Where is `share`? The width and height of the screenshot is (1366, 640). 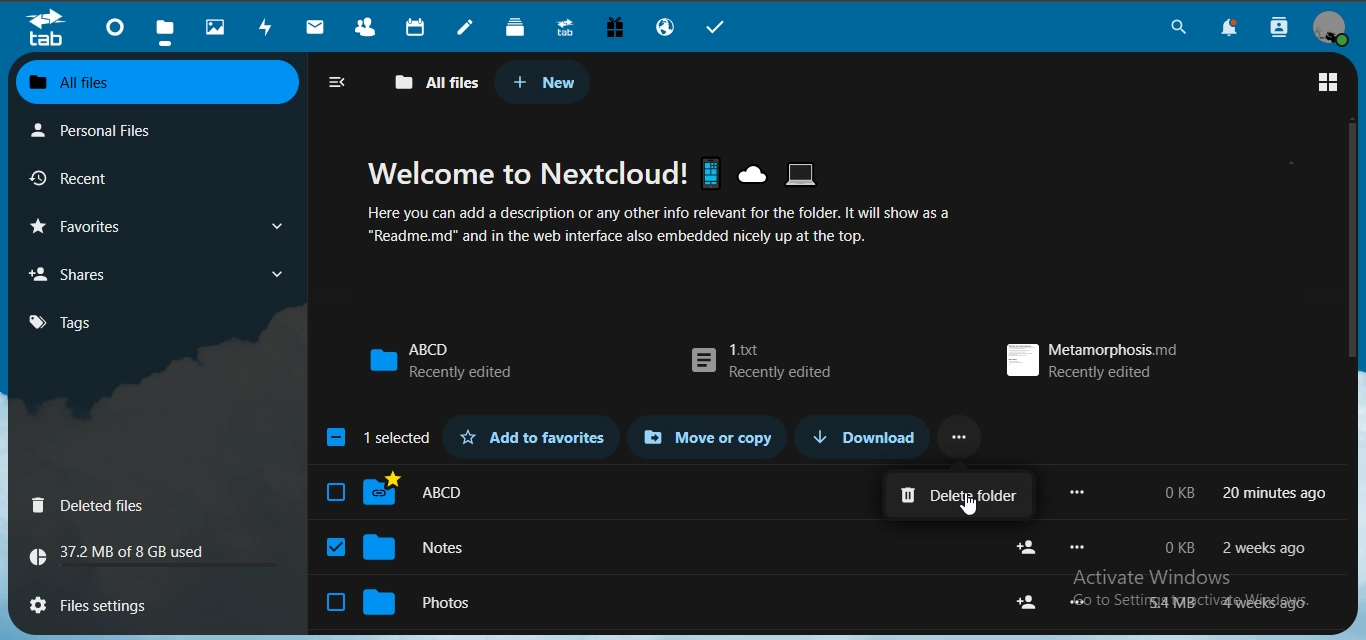
share is located at coordinates (1030, 601).